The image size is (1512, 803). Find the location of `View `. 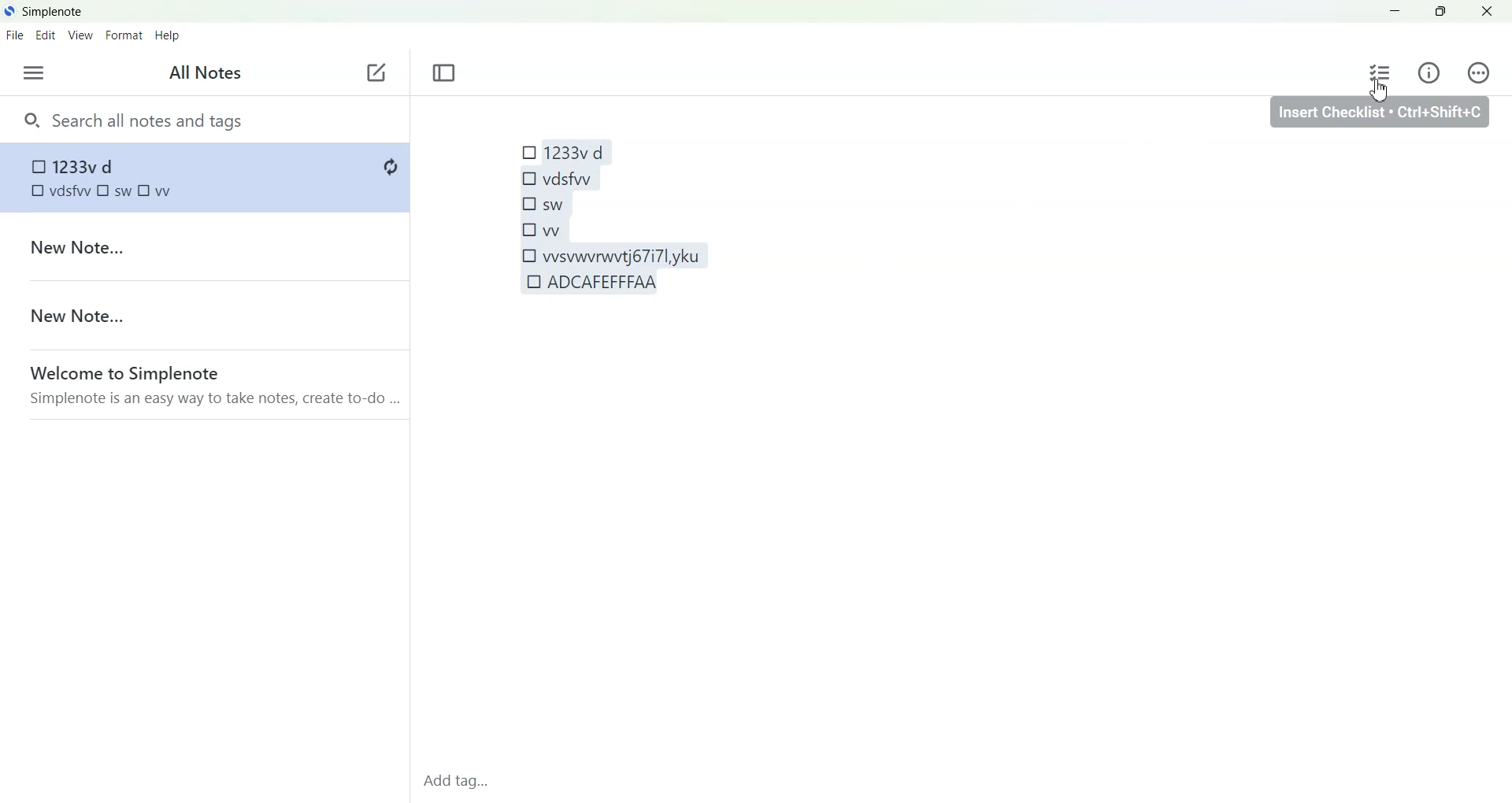

View  is located at coordinates (81, 36).